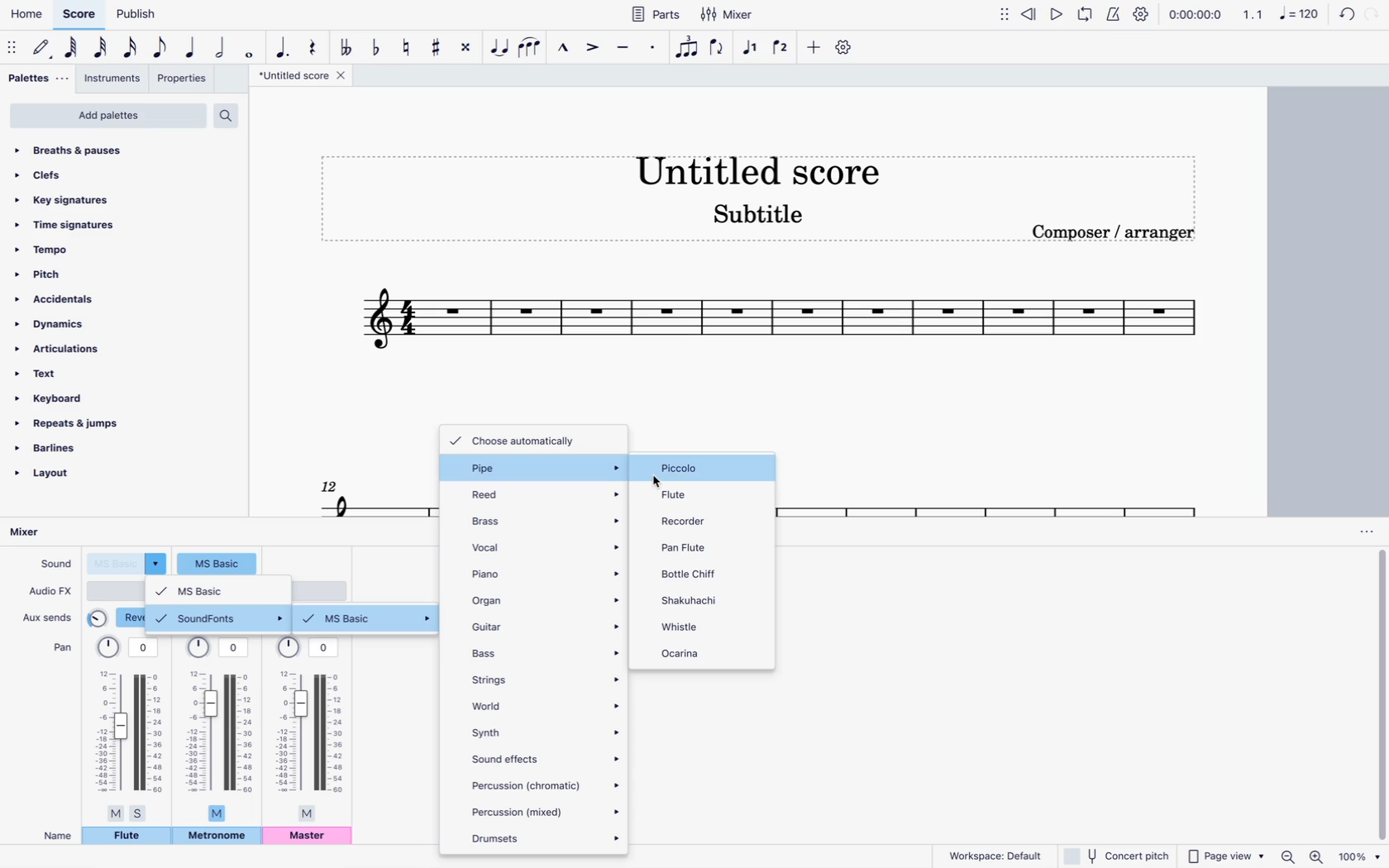  What do you see at coordinates (217, 837) in the screenshot?
I see `metronome` at bounding box center [217, 837].